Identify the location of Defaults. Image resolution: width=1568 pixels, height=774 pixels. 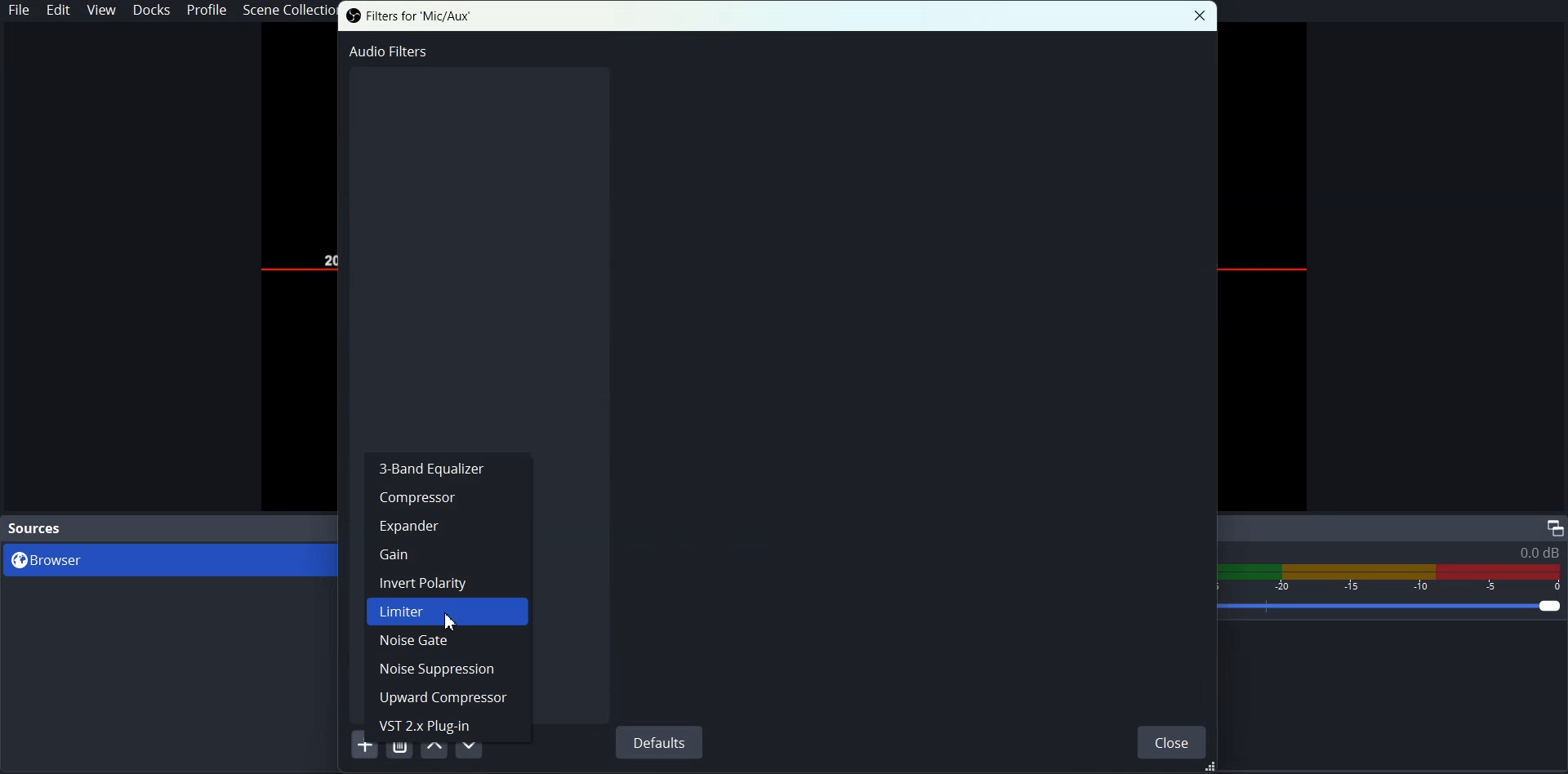
(658, 742).